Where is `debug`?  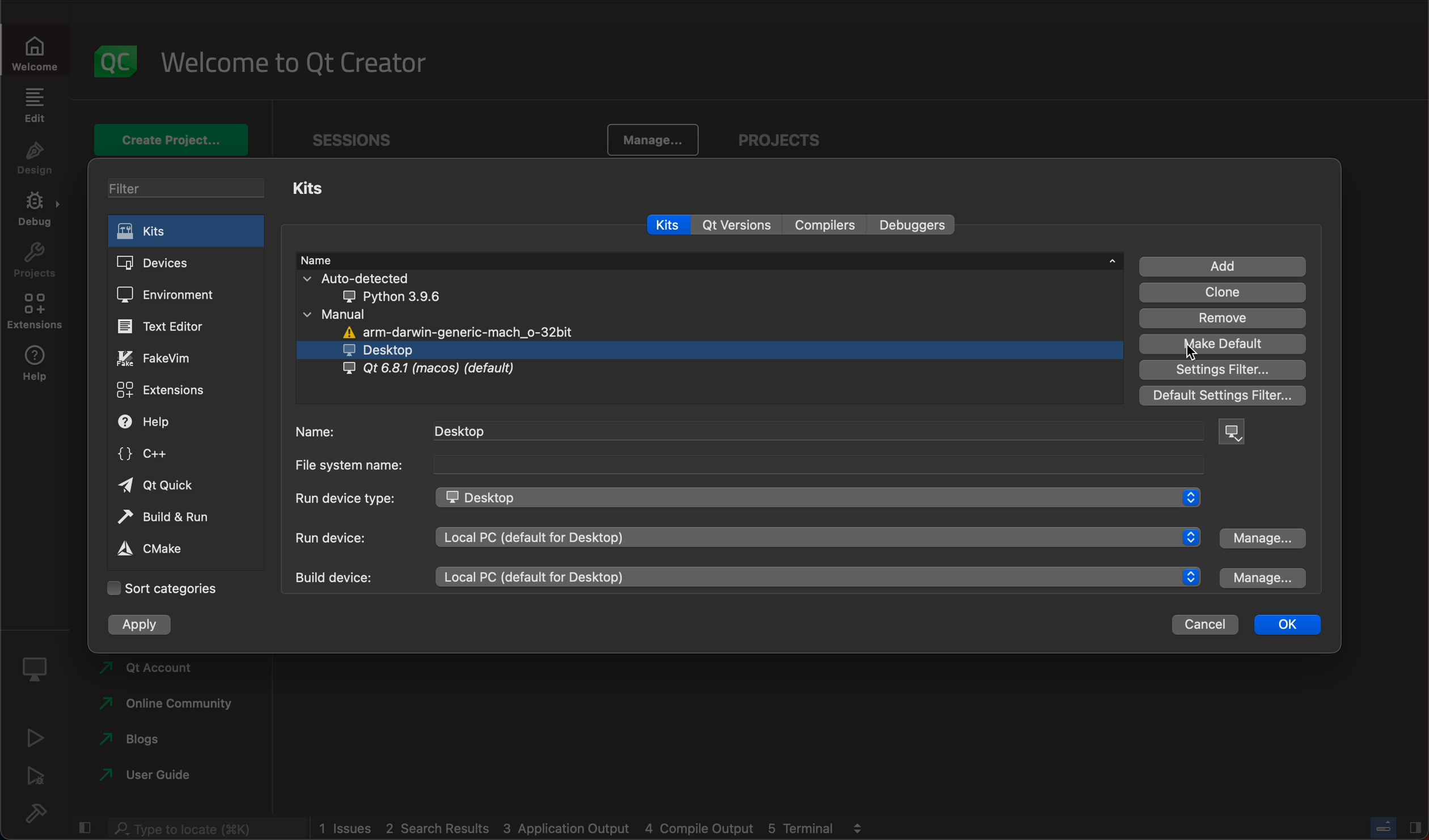 debug is located at coordinates (37, 779).